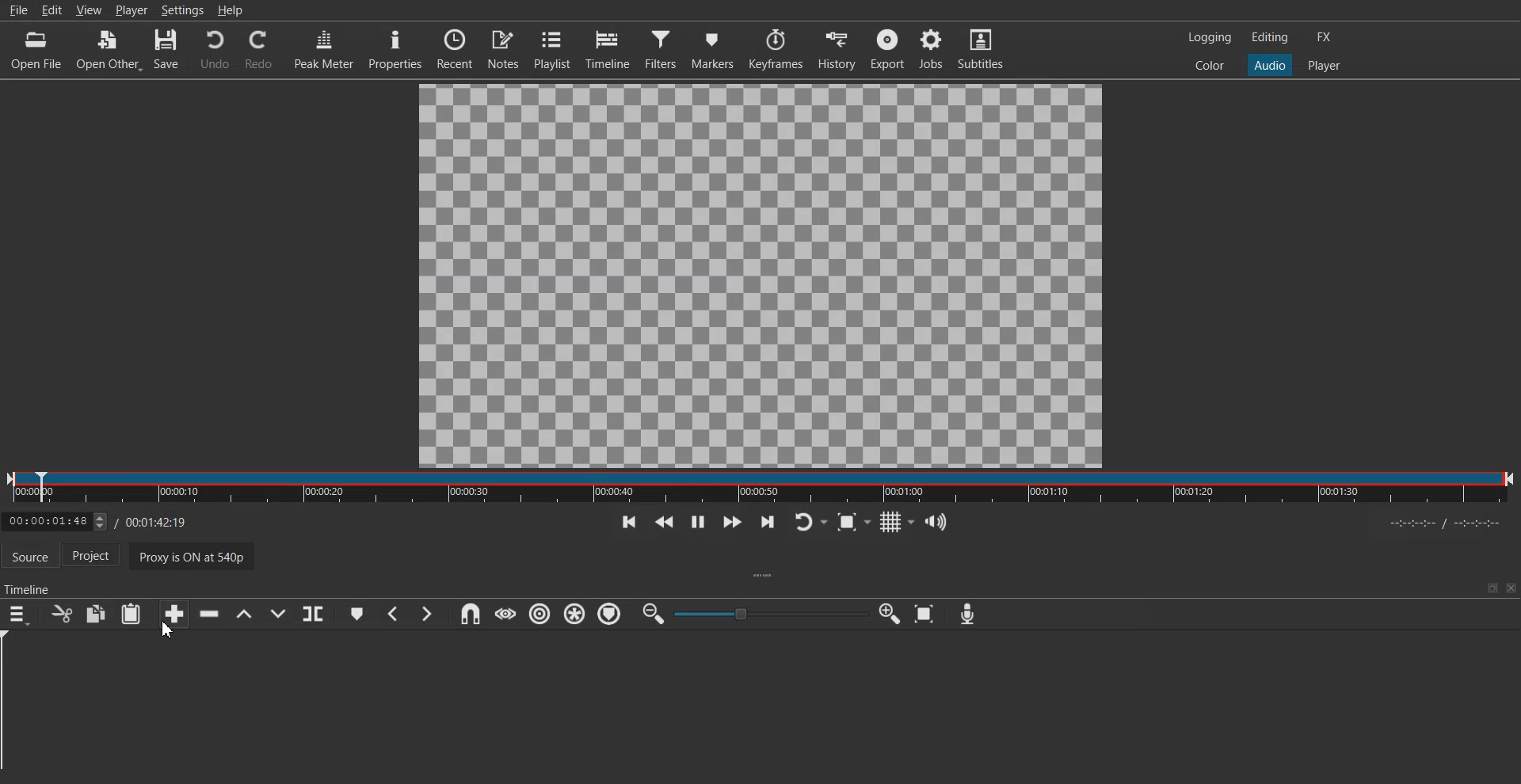  What do you see at coordinates (554, 49) in the screenshot?
I see `Playlist` at bounding box center [554, 49].